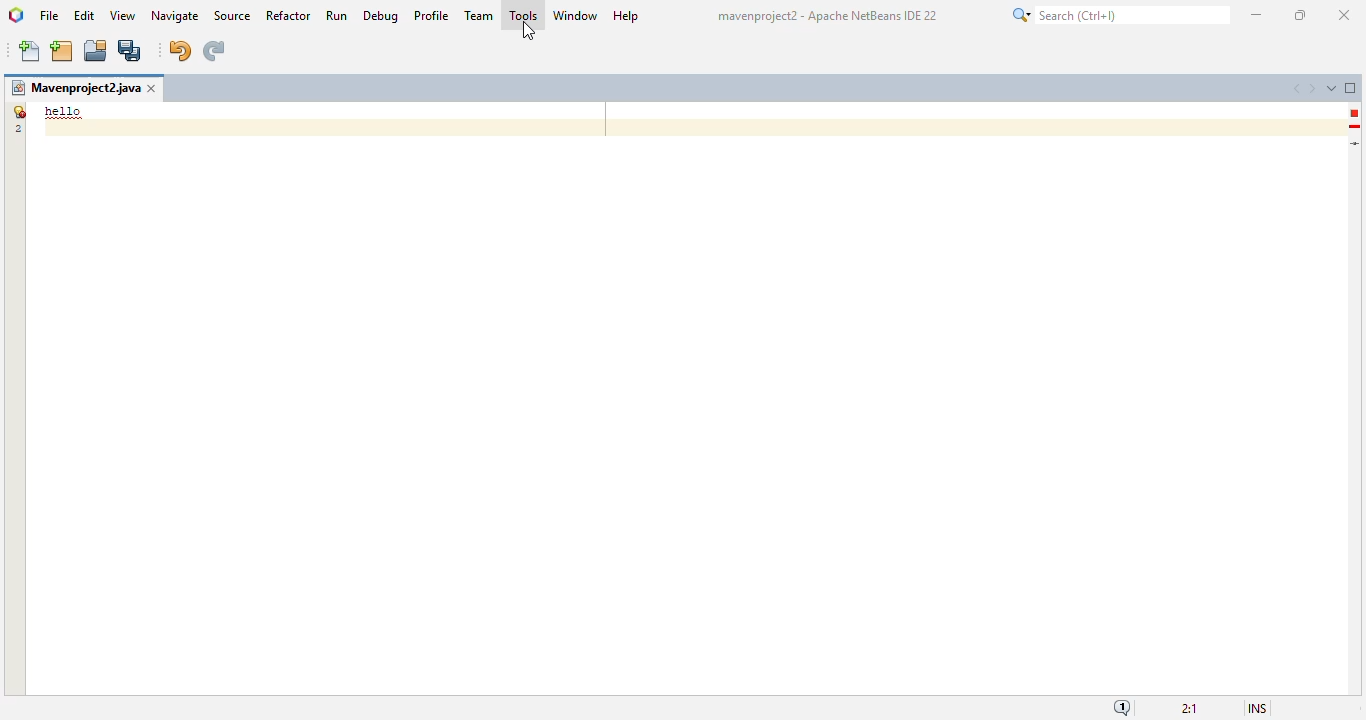  What do you see at coordinates (826, 16) in the screenshot?
I see `title` at bounding box center [826, 16].